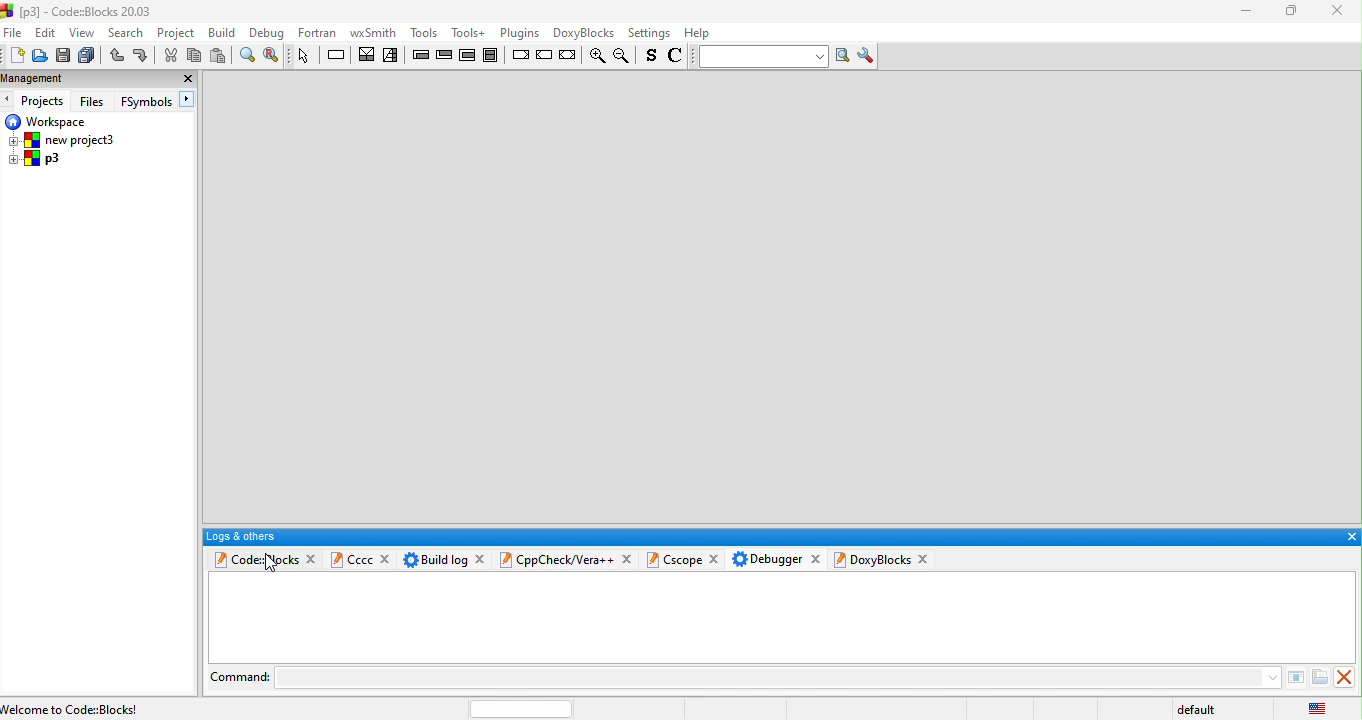 The width and height of the screenshot is (1362, 720). Describe the element at coordinates (83, 33) in the screenshot. I see `view` at that location.